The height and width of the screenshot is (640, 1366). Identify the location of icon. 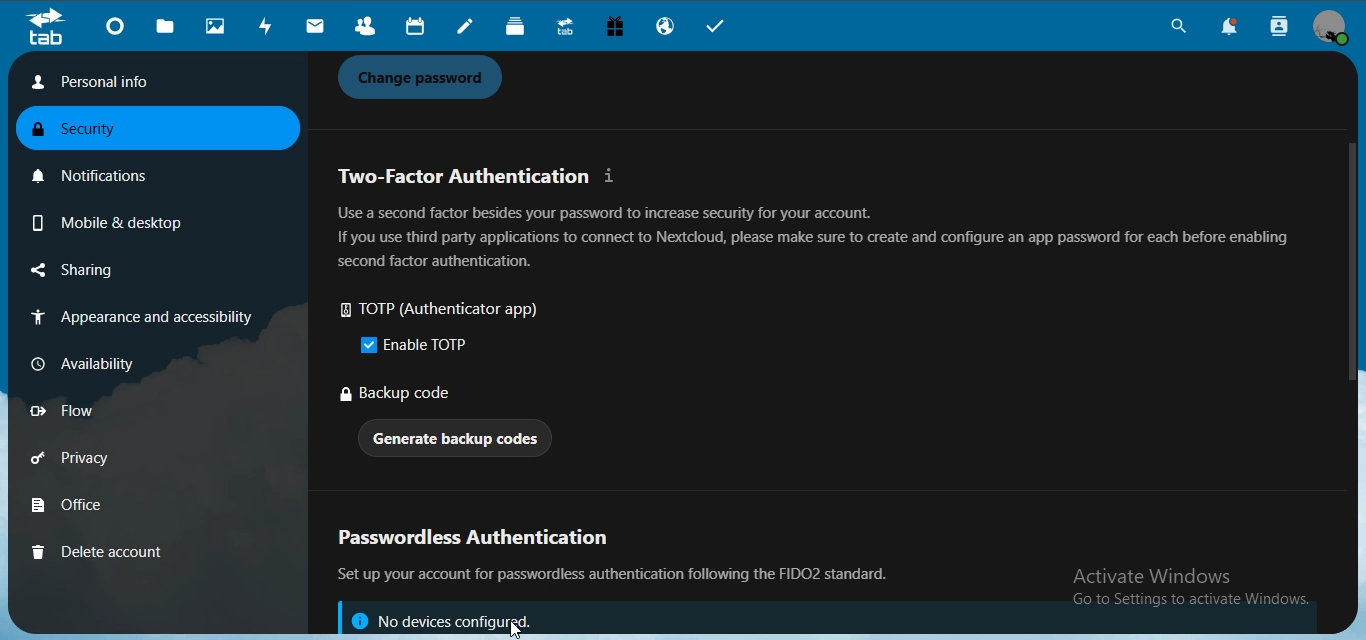
(45, 27).